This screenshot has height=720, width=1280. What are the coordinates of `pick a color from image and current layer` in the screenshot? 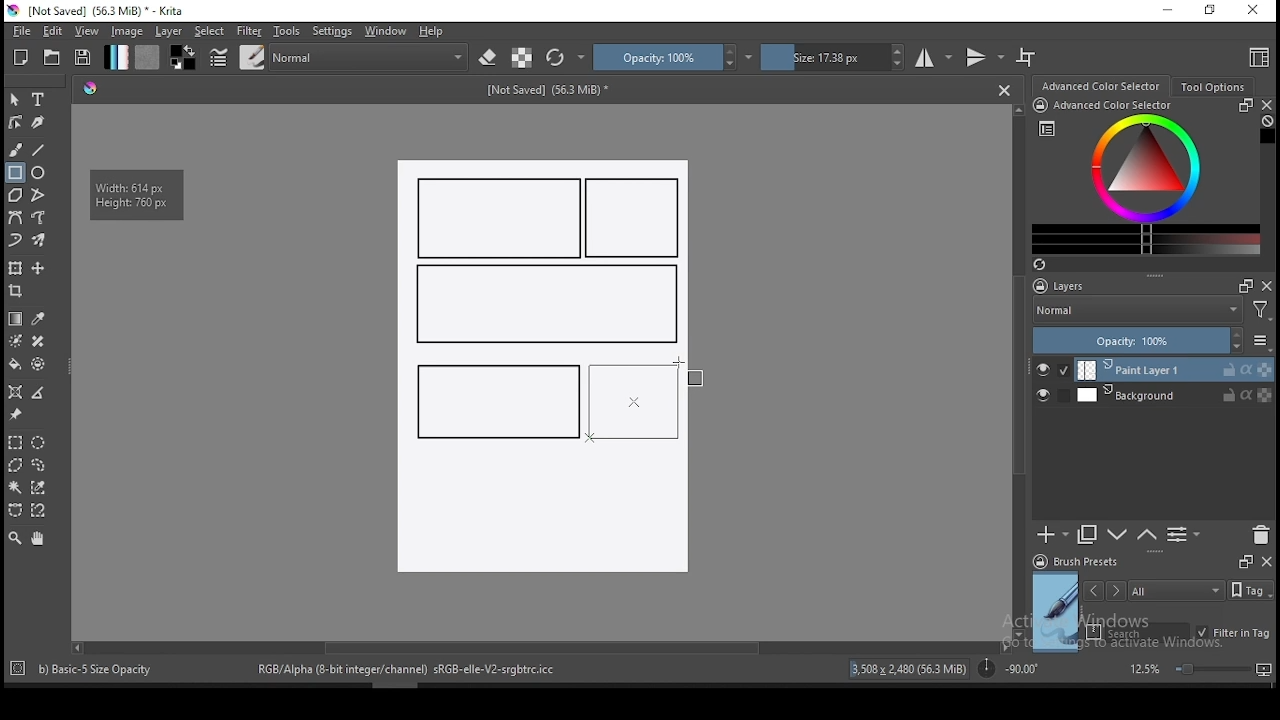 It's located at (39, 319).